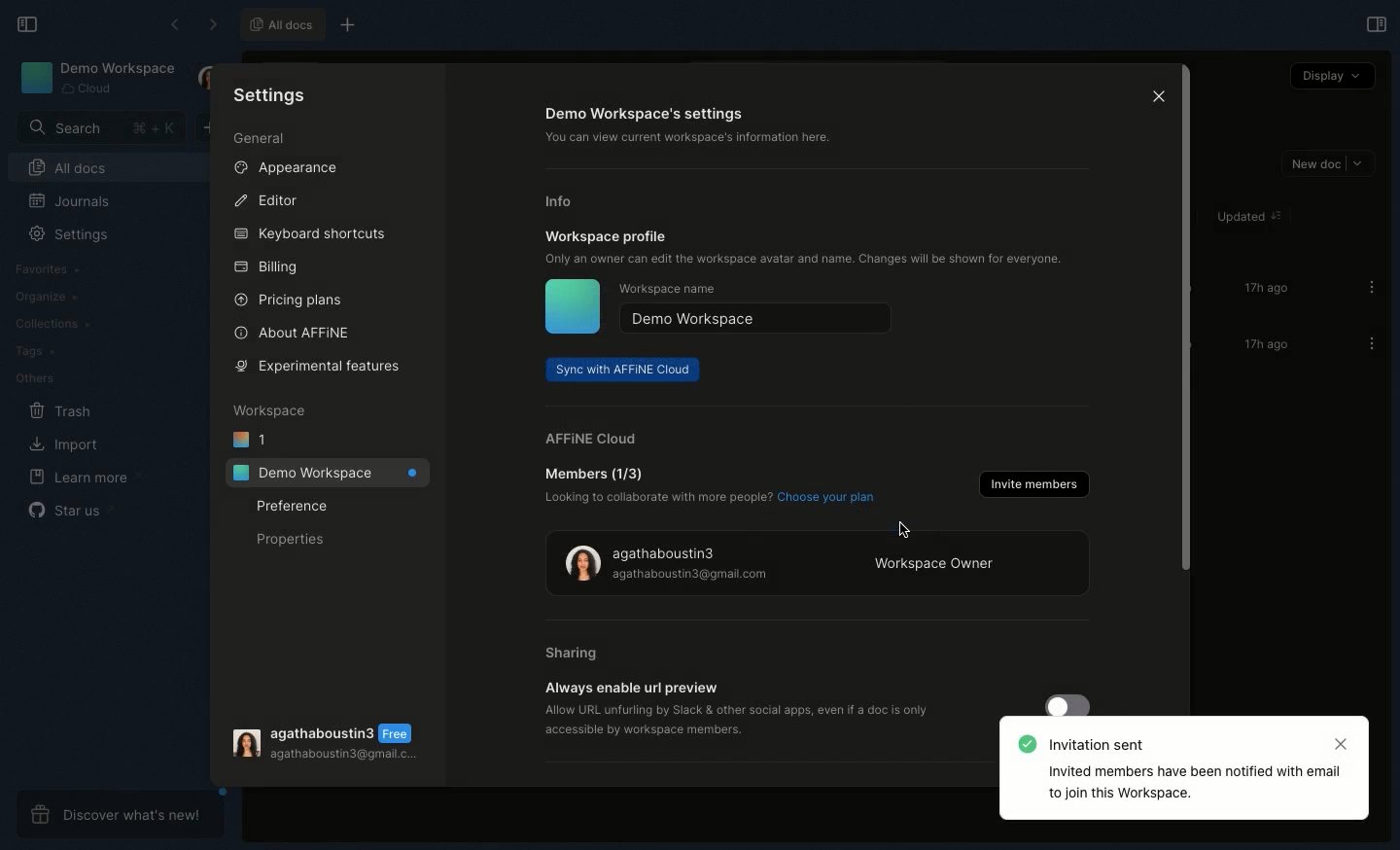 This screenshot has width=1400, height=850. Describe the element at coordinates (174, 24) in the screenshot. I see `Back` at that location.